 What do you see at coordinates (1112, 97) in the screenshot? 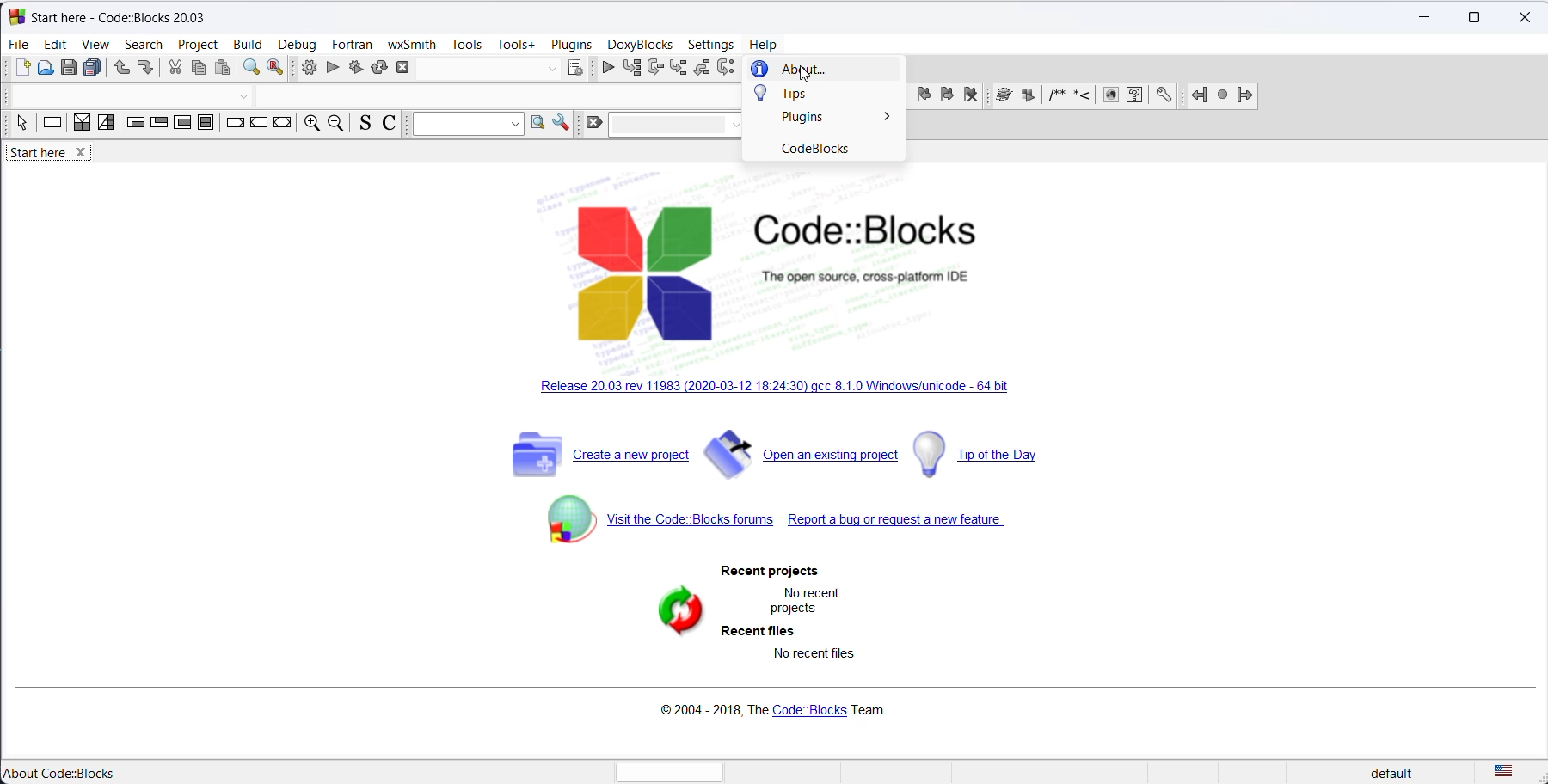
I see `HTML` at bounding box center [1112, 97].